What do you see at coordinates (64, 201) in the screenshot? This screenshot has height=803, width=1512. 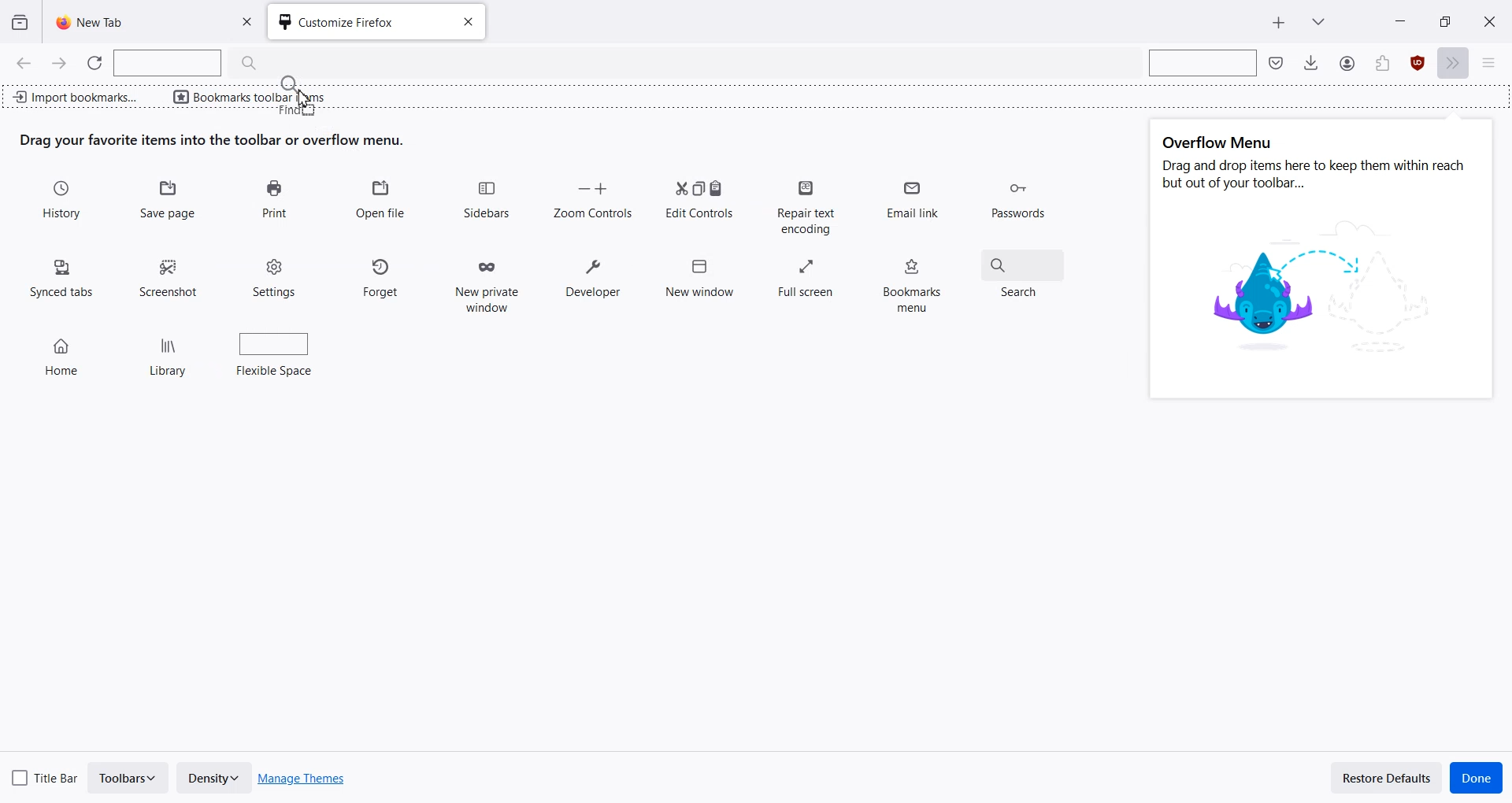 I see `History` at bounding box center [64, 201].